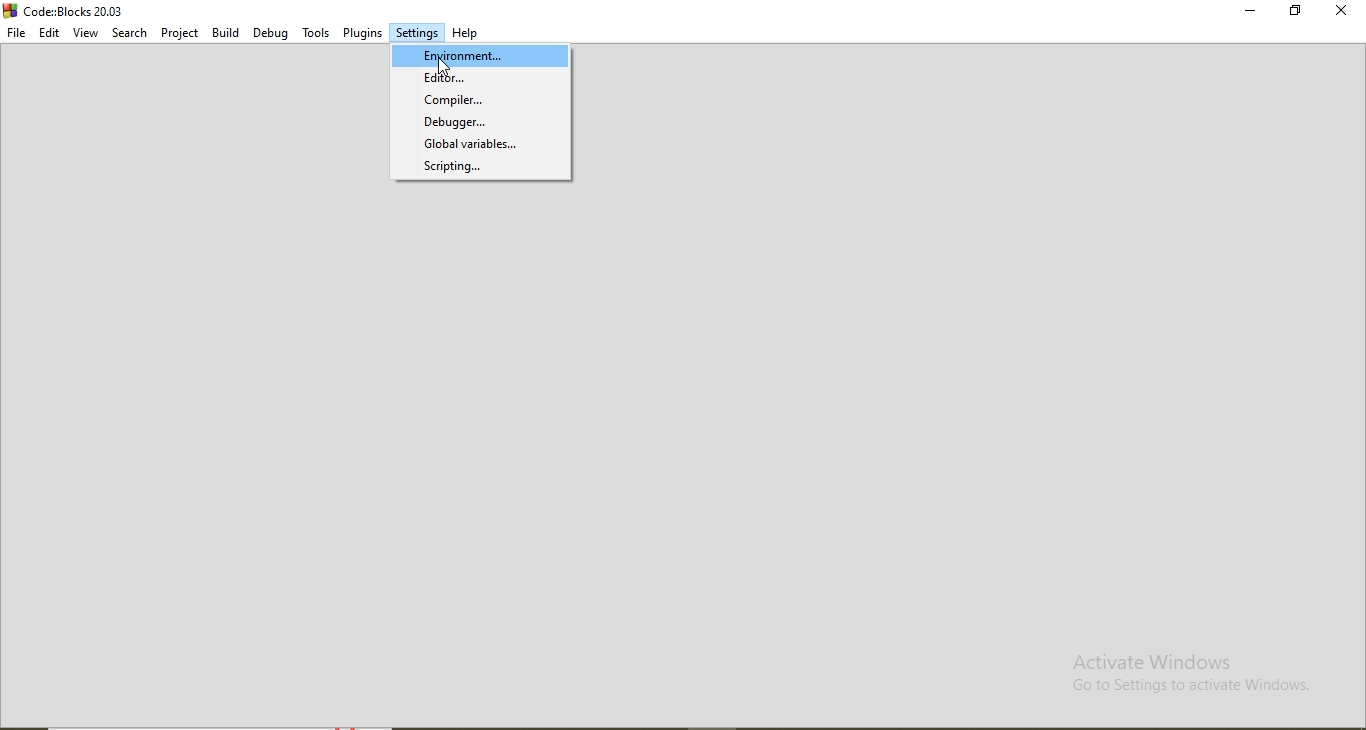 The image size is (1366, 730). What do you see at coordinates (482, 101) in the screenshot?
I see `Compiler` at bounding box center [482, 101].